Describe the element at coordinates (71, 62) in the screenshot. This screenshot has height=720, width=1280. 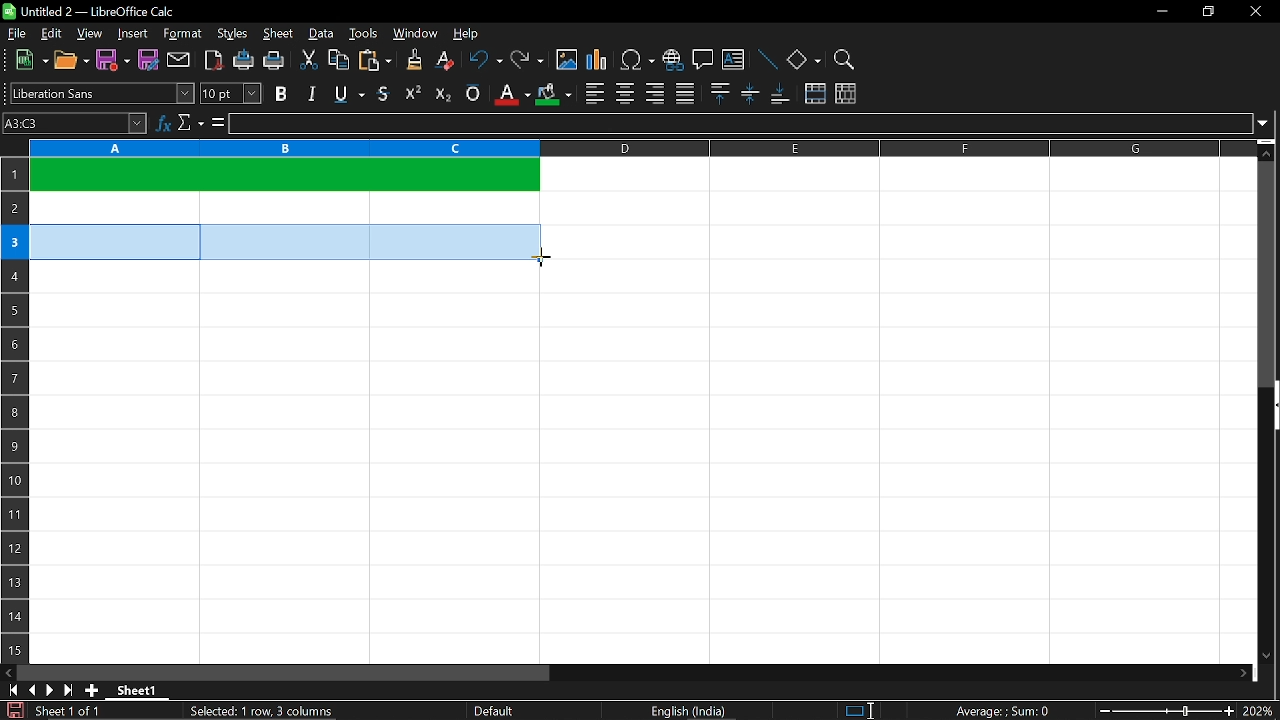
I see `open` at that location.